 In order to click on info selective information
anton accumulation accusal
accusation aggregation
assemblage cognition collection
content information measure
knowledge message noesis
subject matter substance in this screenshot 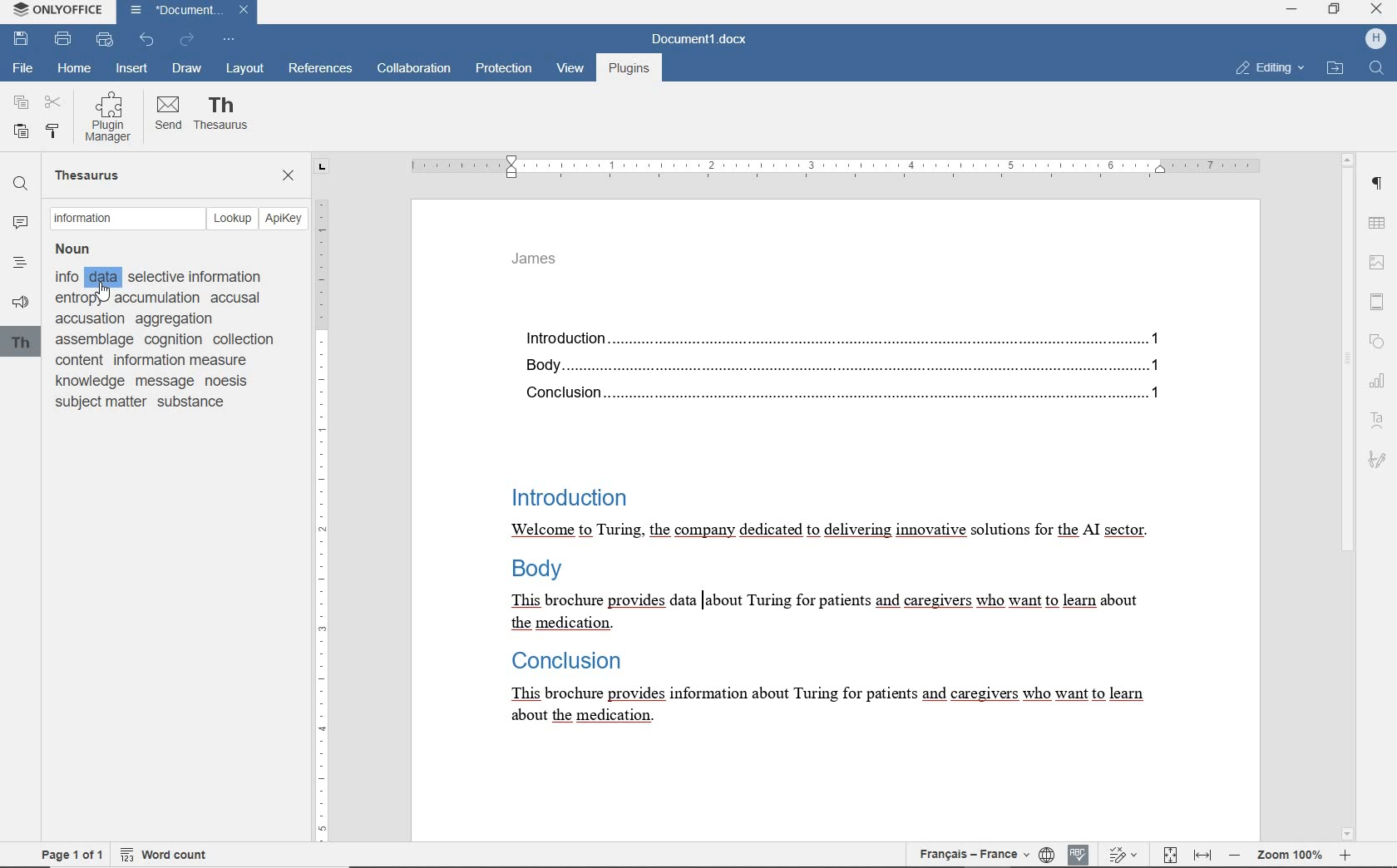, I will do `click(169, 340)`.